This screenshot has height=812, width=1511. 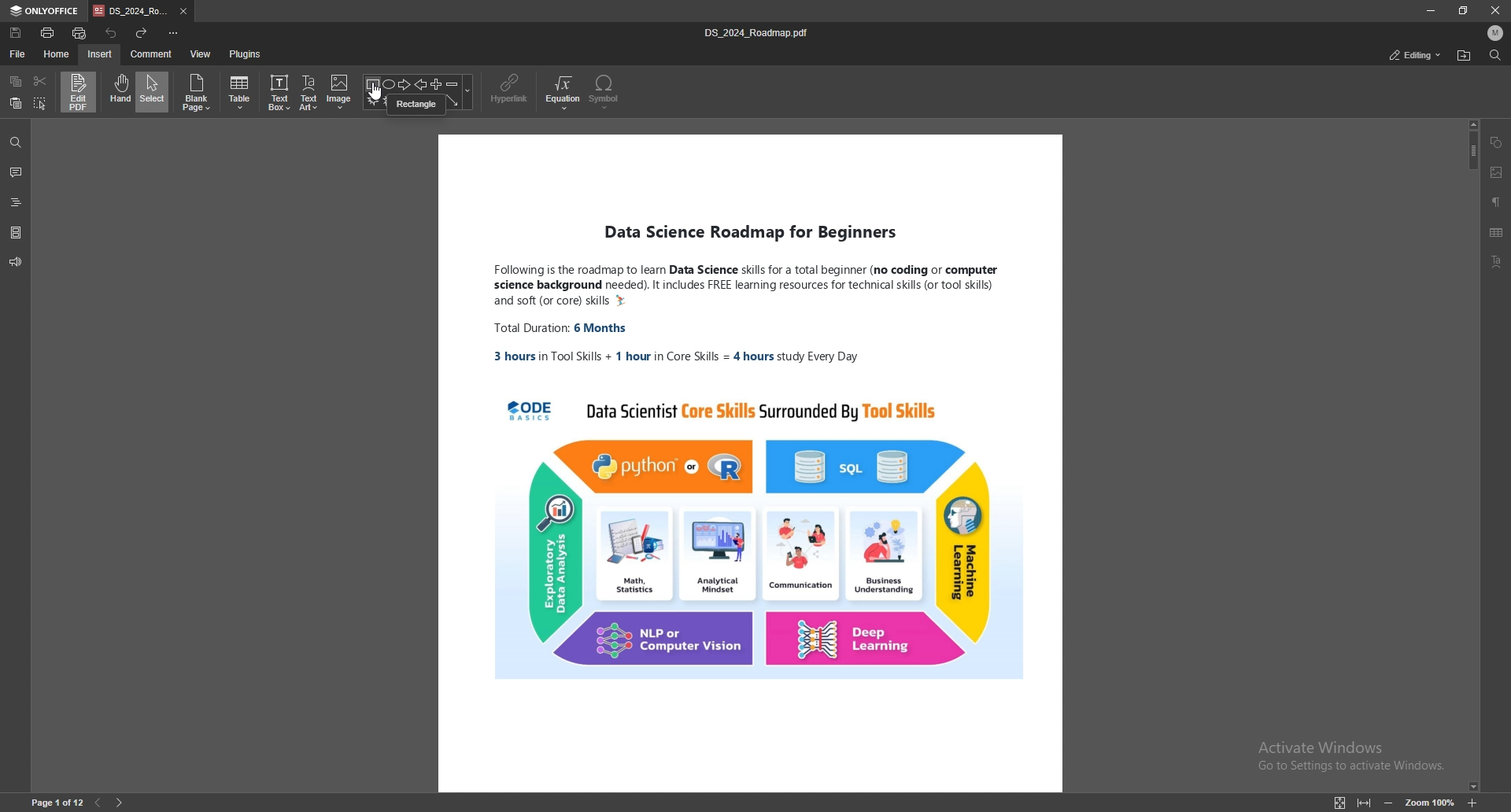 What do you see at coordinates (79, 91) in the screenshot?
I see `edit pdf` at bounding box center [79, 91].